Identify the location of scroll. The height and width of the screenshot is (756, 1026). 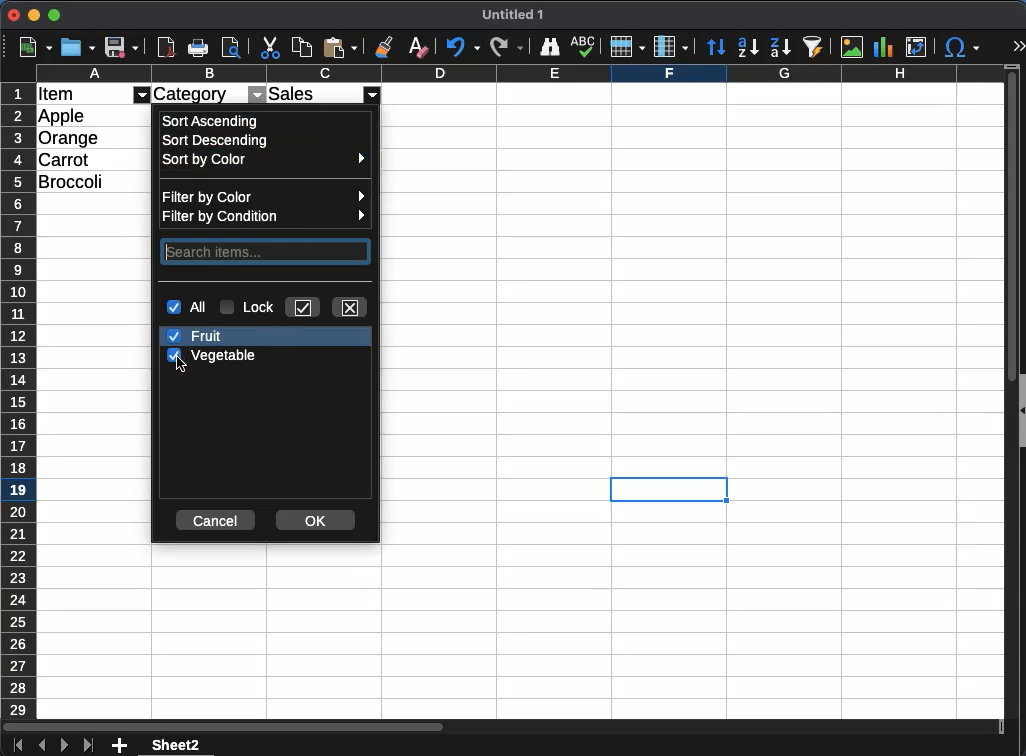
(1008, 402).